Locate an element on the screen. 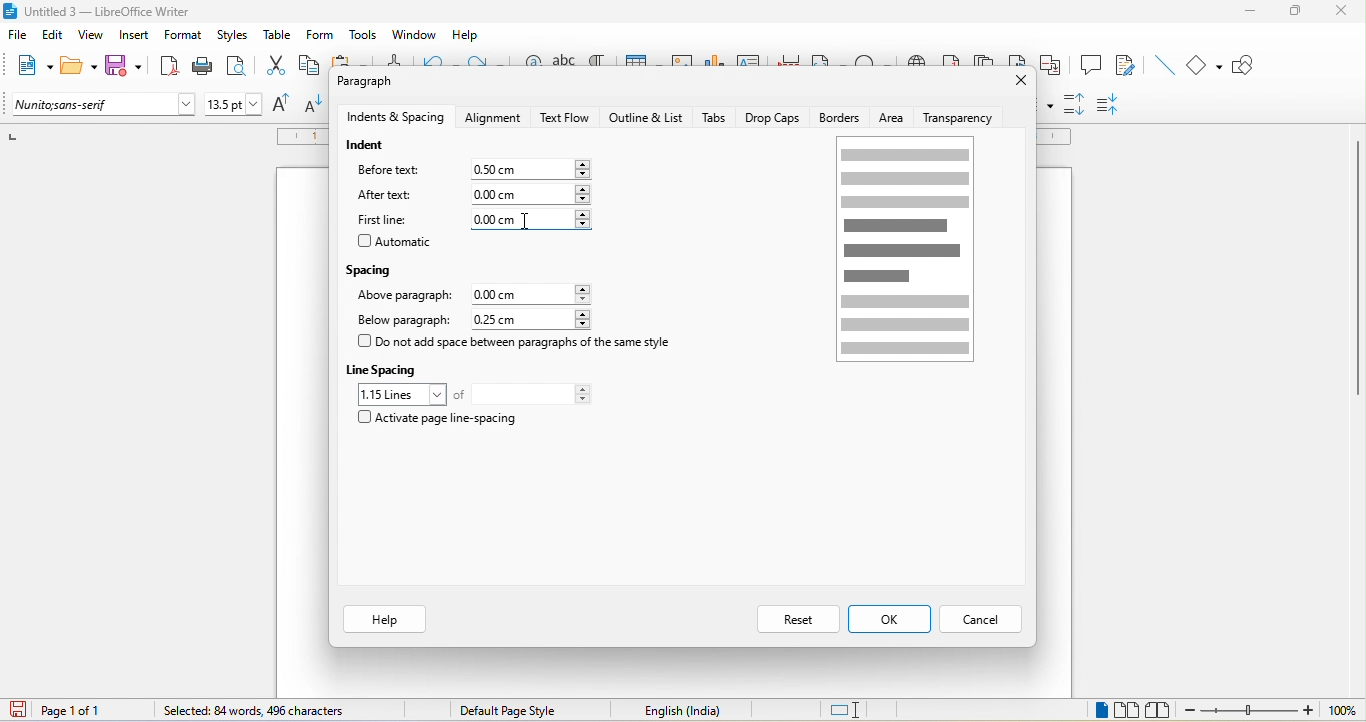 The width and height of the screenshot is (1366, 722). increase size is located at coordinates (278, 103).